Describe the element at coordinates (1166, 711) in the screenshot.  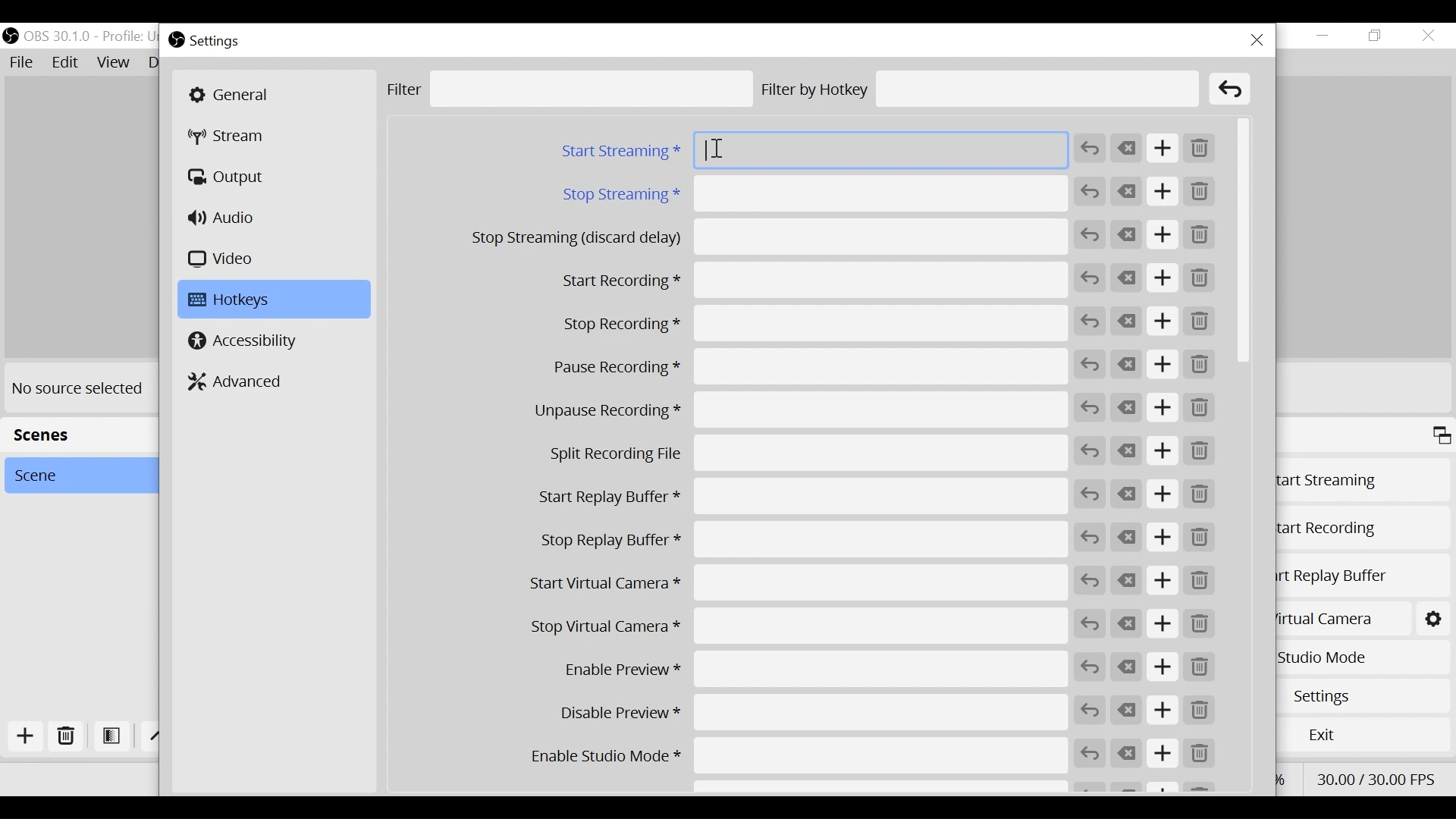
I see `Add` at that location.